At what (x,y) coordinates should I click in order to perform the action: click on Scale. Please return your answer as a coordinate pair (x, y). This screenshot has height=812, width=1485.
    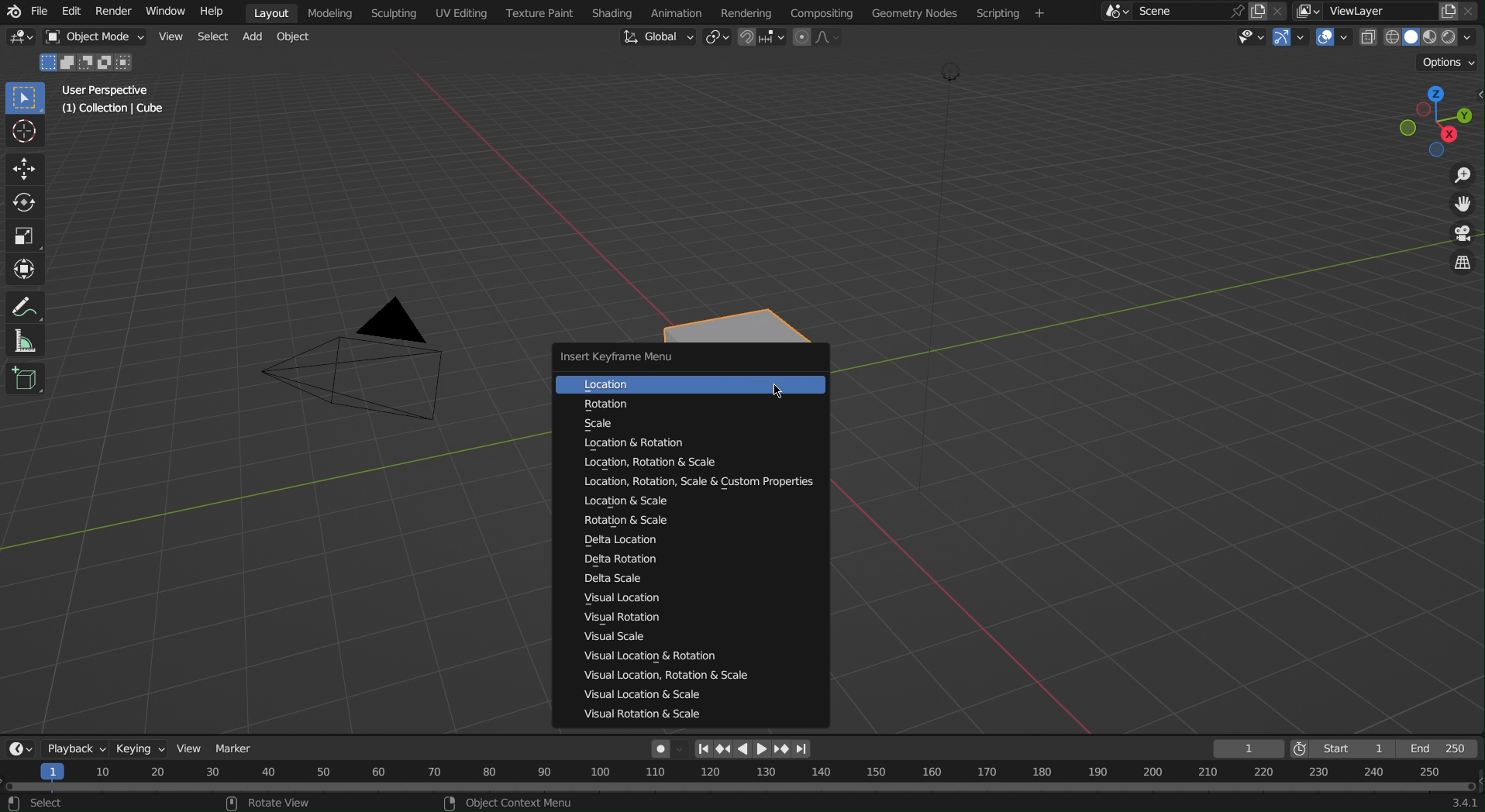
    Looking at the image, I should click on (639, 425).